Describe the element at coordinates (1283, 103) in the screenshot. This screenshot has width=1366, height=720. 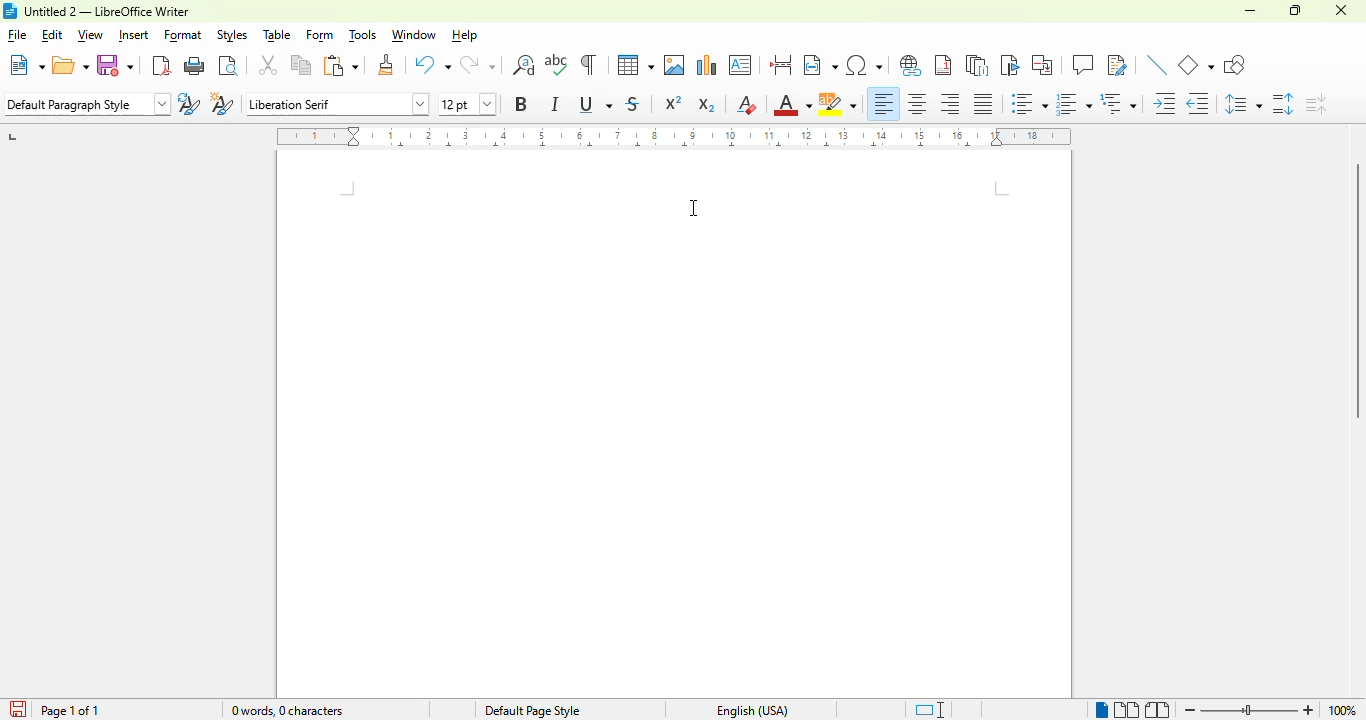
I see `increase paragraph spacing` at that location.